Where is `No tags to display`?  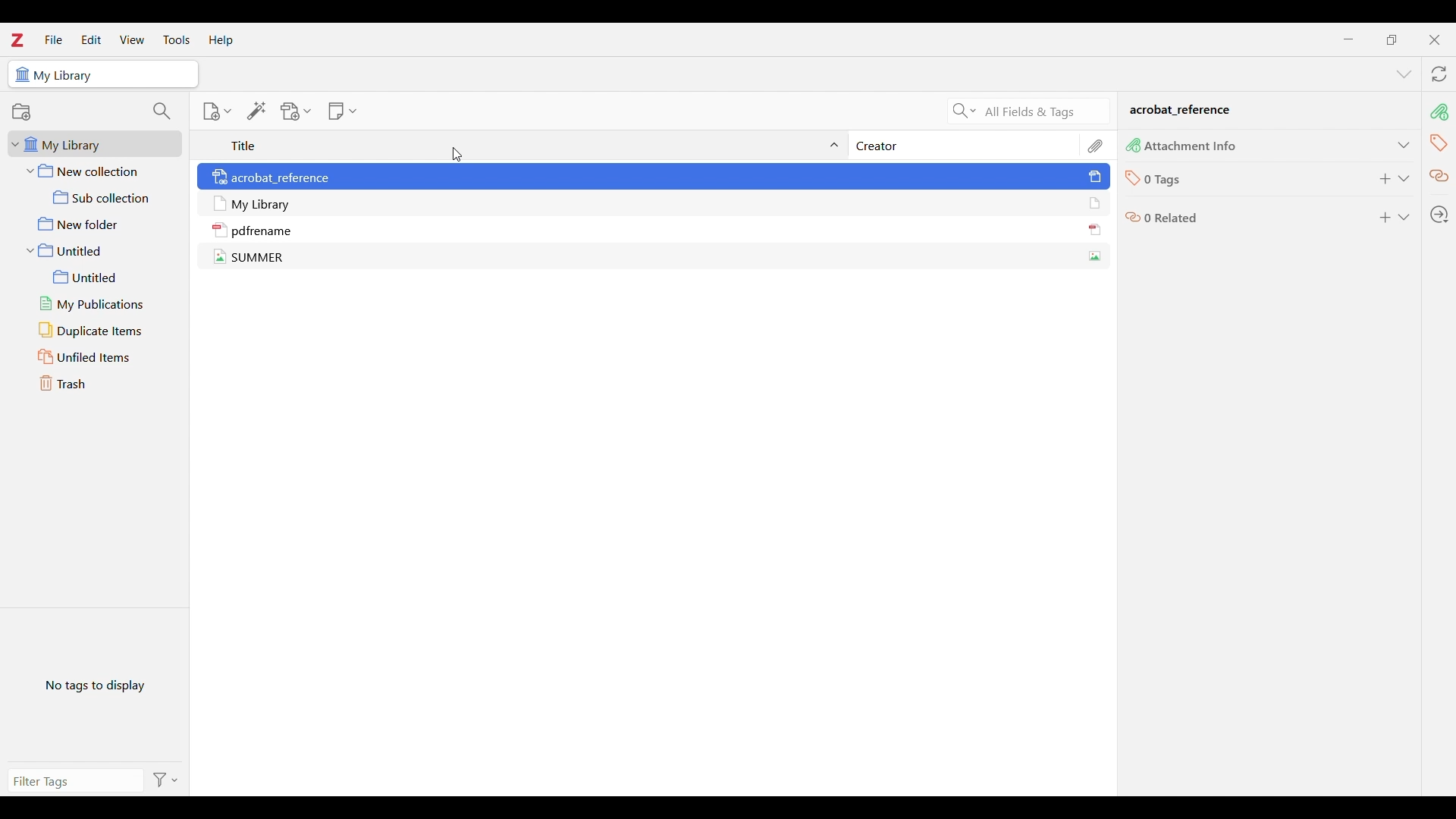 No tags to display is located at coordinates (96, 685).